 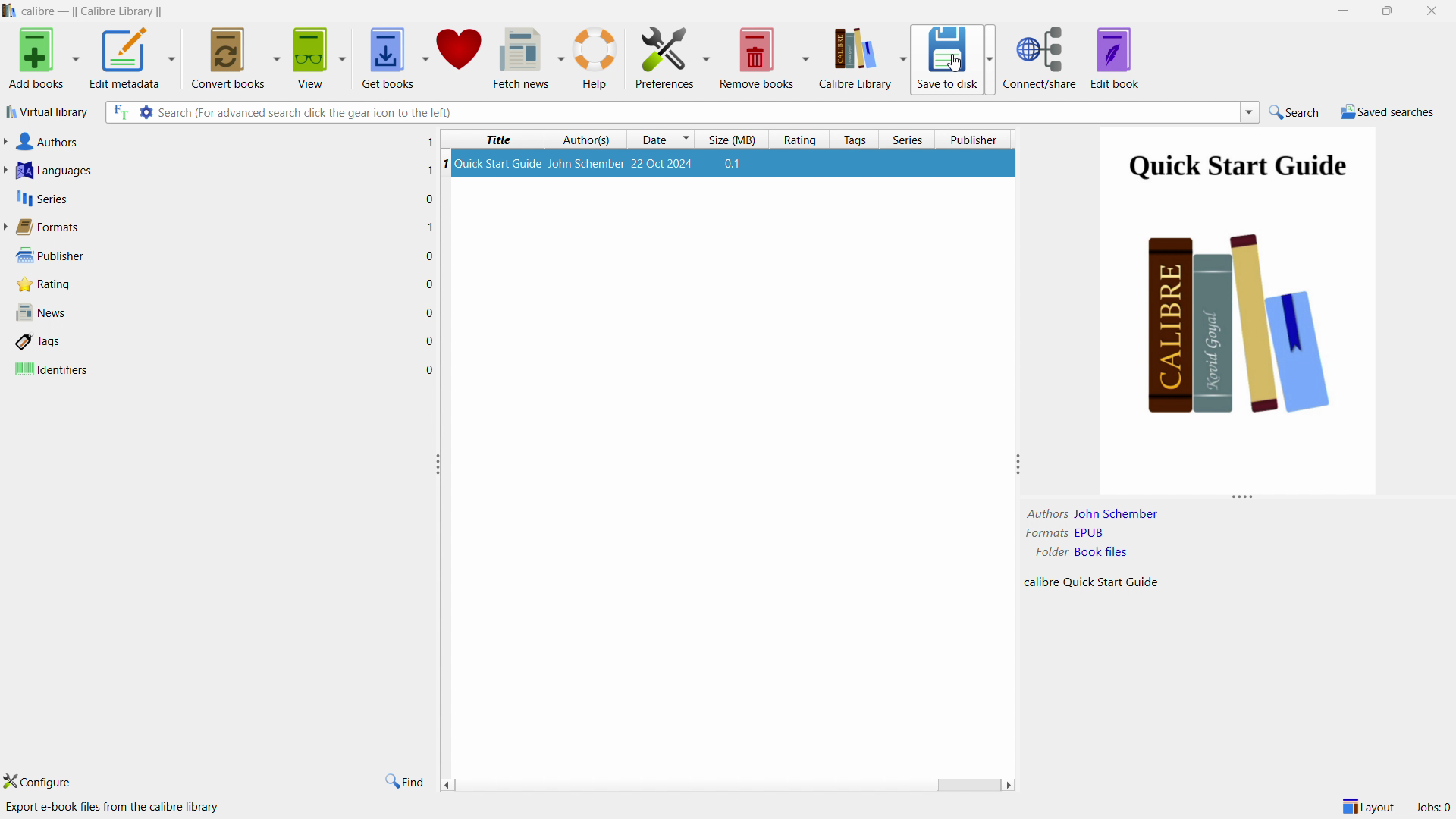 I want to click on Authors, so click(x=1046, y=514).